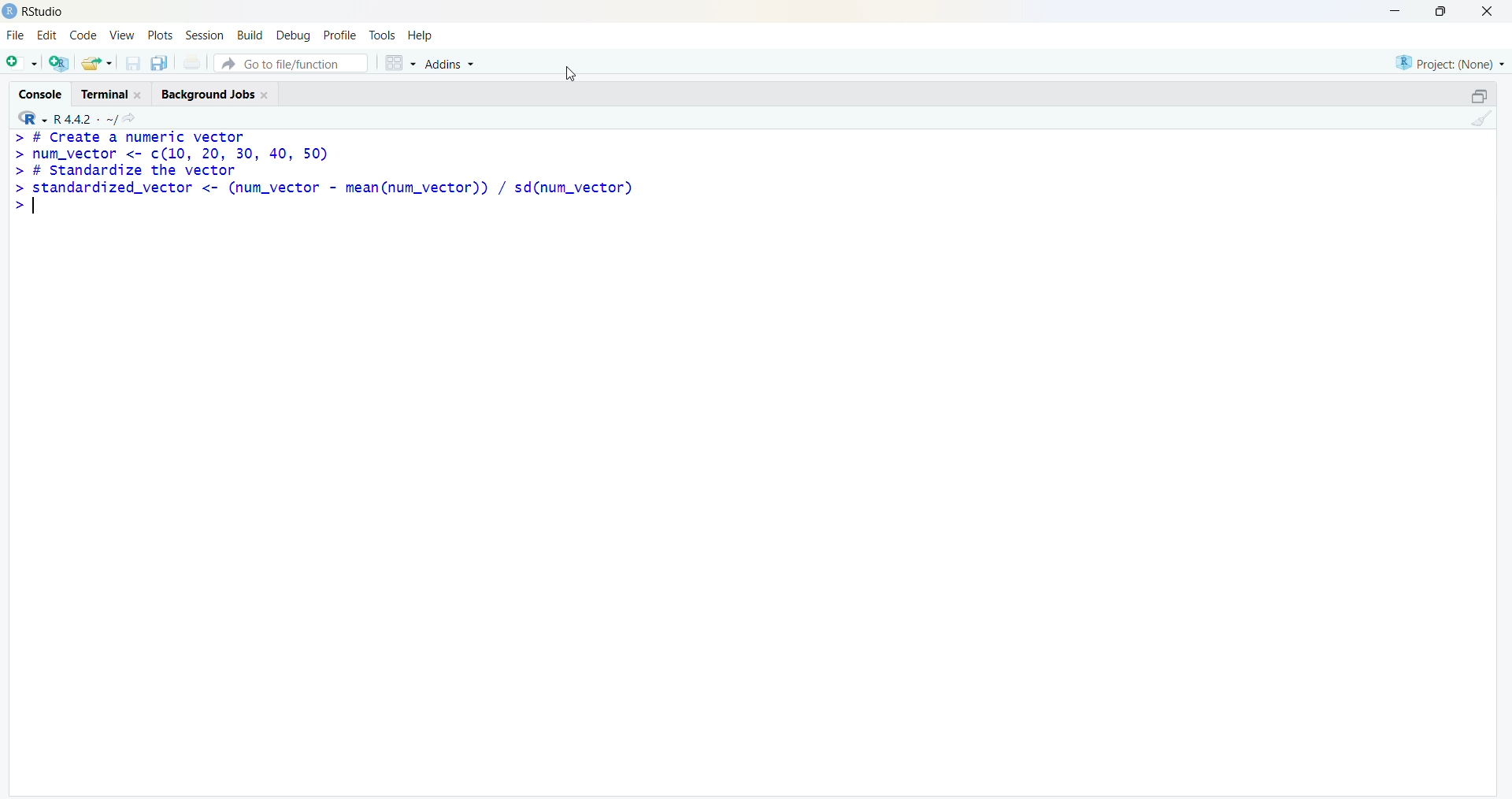  I want to click on > # Create a numeric vector

> num_vector <- c(10, 20, 30, 40, 50)

> # Standardize the vector

> standardized_vector <- (num_vector - mean(num_vector)) / sd(num_vector)
>|, so click(324, 173).